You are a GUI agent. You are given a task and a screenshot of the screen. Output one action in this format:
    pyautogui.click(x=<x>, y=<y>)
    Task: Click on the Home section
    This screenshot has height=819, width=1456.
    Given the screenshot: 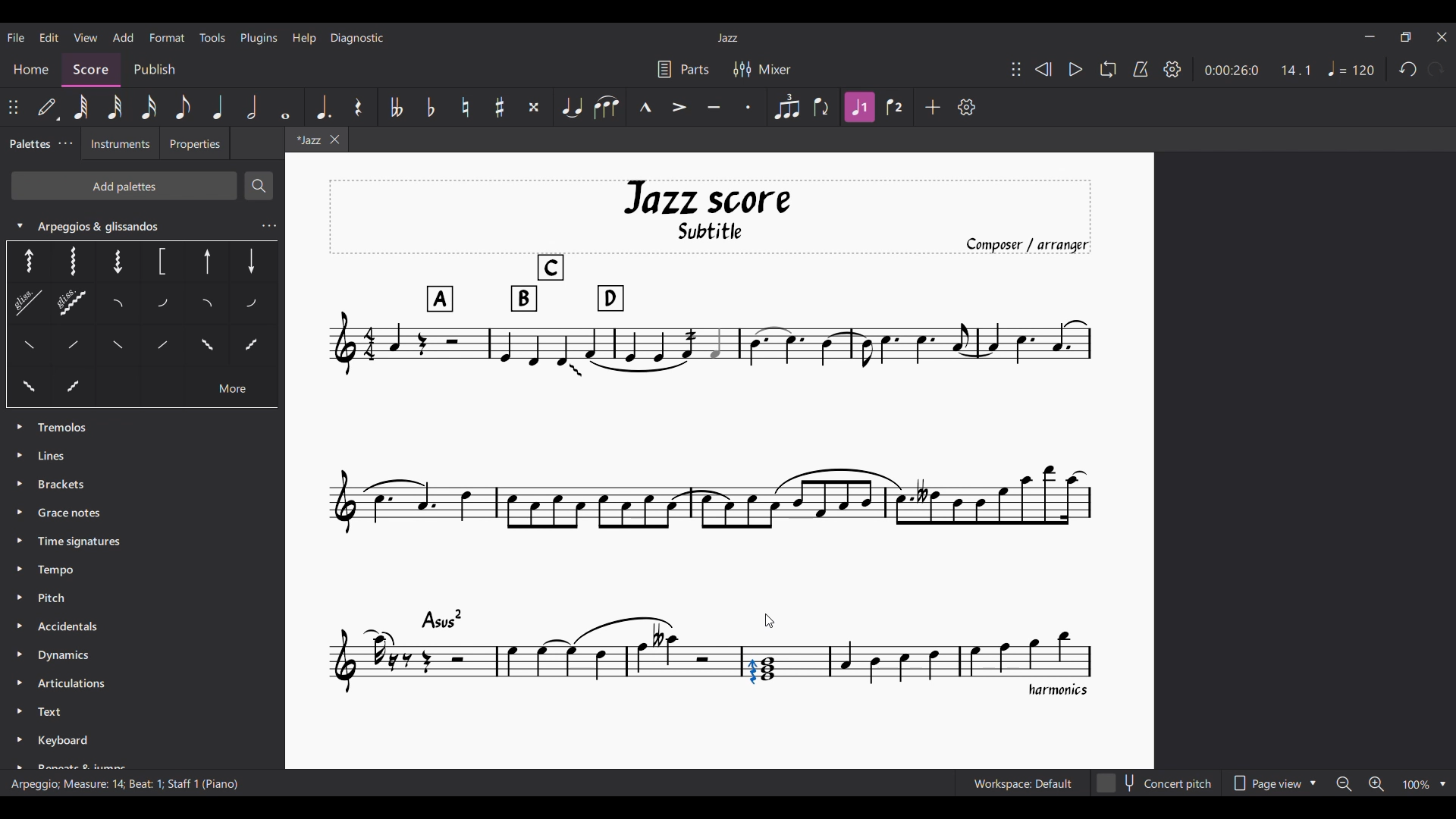 What is the action you would take?
    pyautogui.click(x=31, y=71)
    